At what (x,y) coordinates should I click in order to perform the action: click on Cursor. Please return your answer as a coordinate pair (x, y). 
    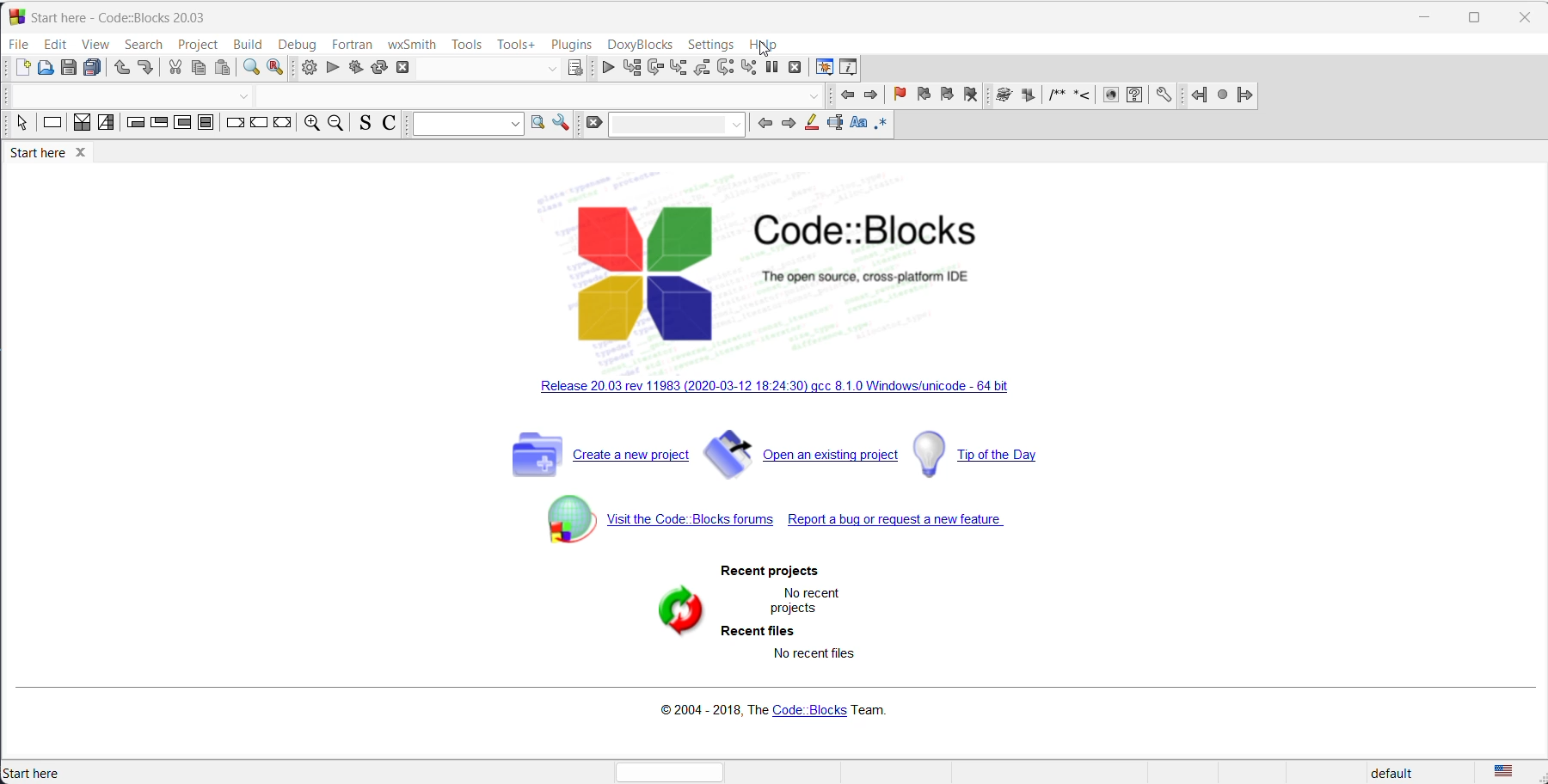
    Looking at the image, I should click on (768, 49).